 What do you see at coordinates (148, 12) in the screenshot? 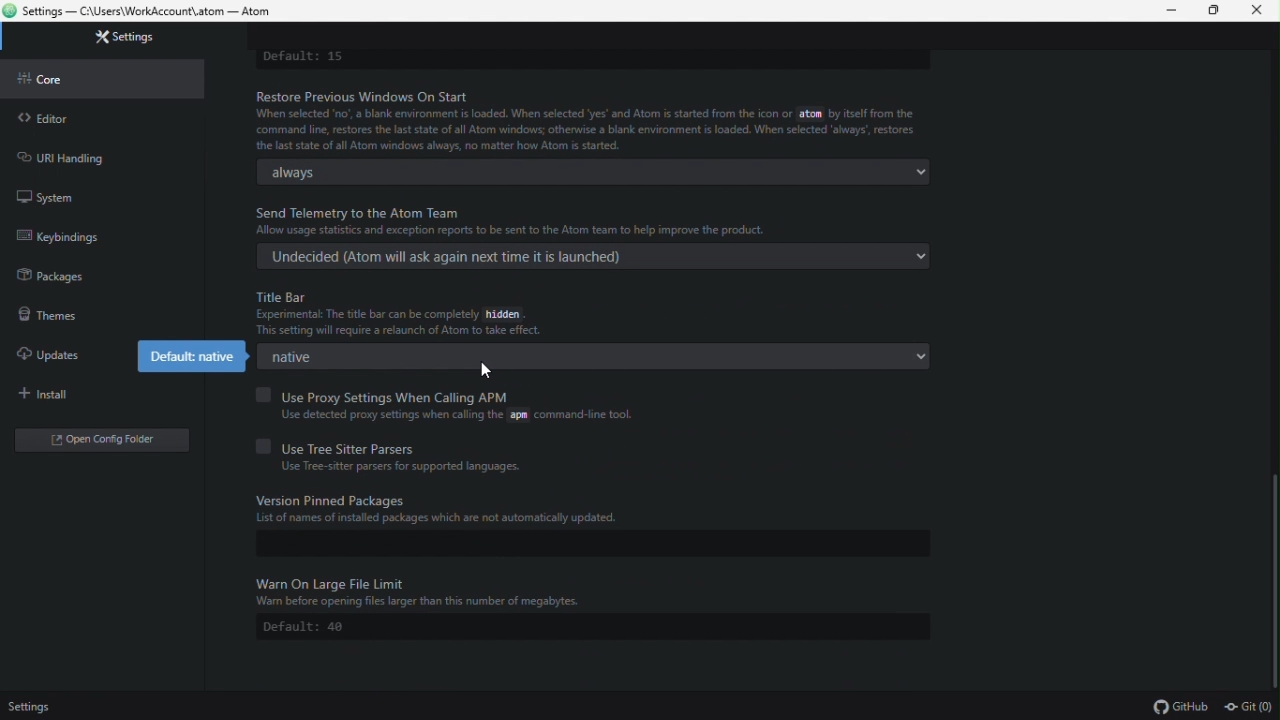
I see `Settings — C:\Users\WorkAccount\.atom — Atom` at bounding box center [148, 12].